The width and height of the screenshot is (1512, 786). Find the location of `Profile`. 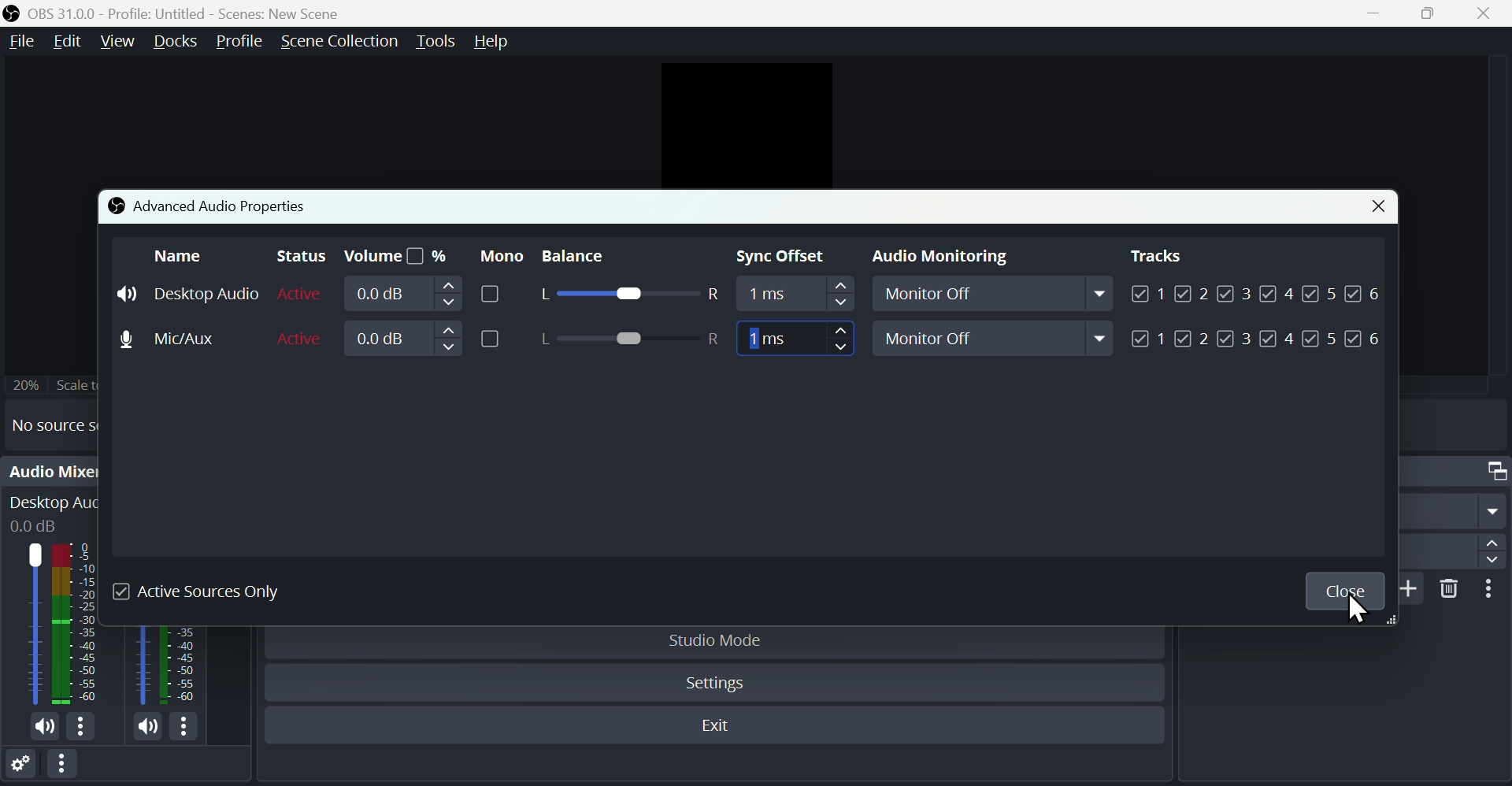

Profile is located at coordinates (238, 42).